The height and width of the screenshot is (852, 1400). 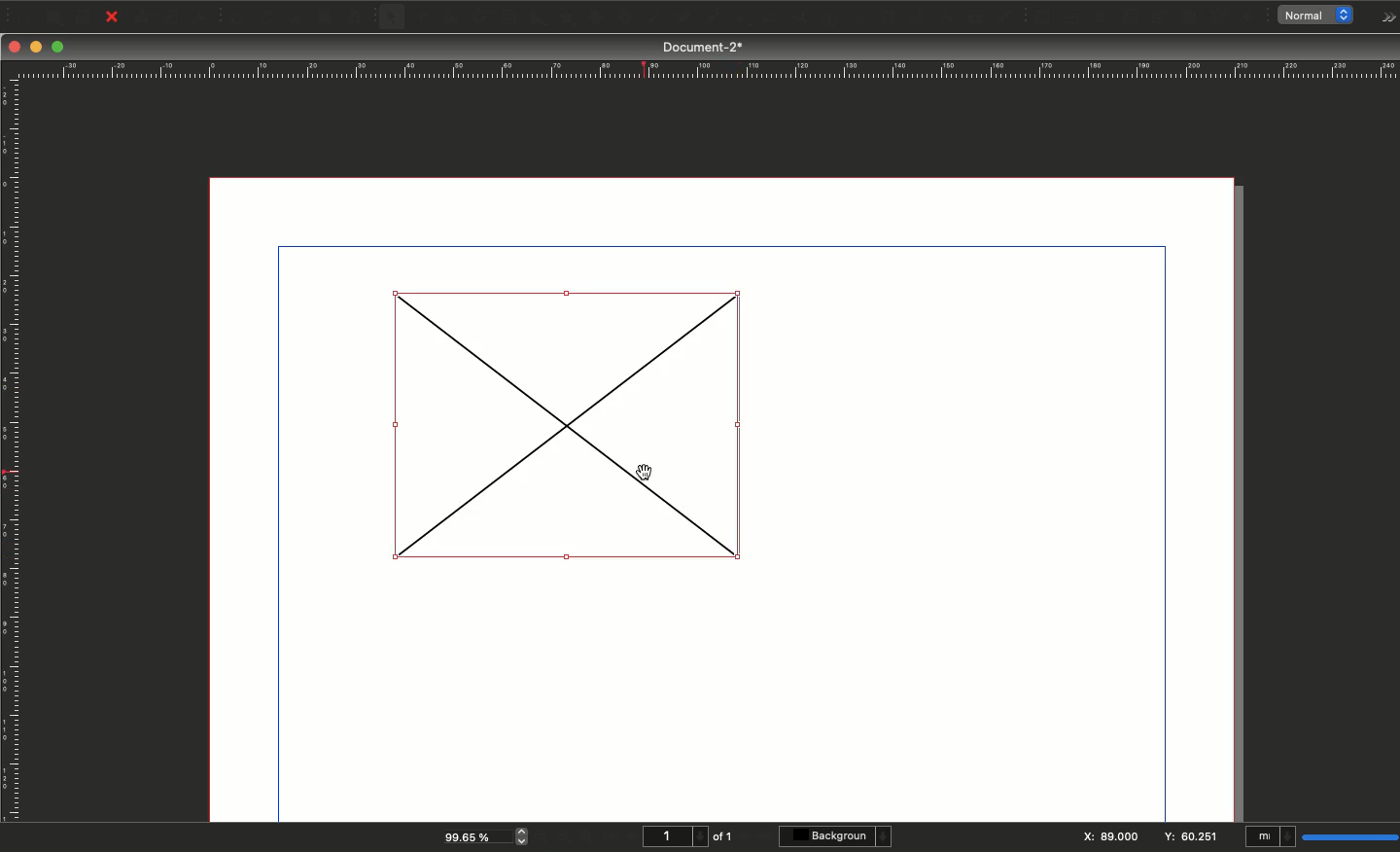 I want to click on Background, so click(x=838, y=836).